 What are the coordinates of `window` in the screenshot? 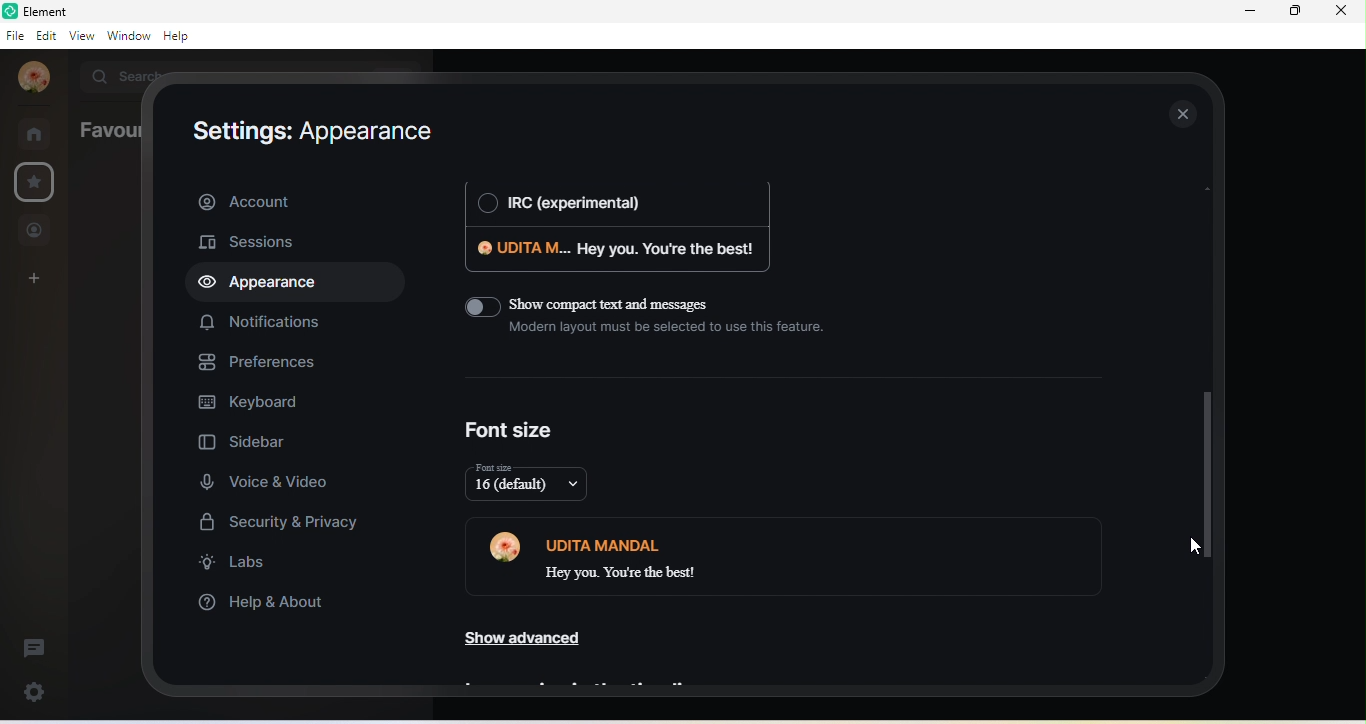 It's located at (128, 35).